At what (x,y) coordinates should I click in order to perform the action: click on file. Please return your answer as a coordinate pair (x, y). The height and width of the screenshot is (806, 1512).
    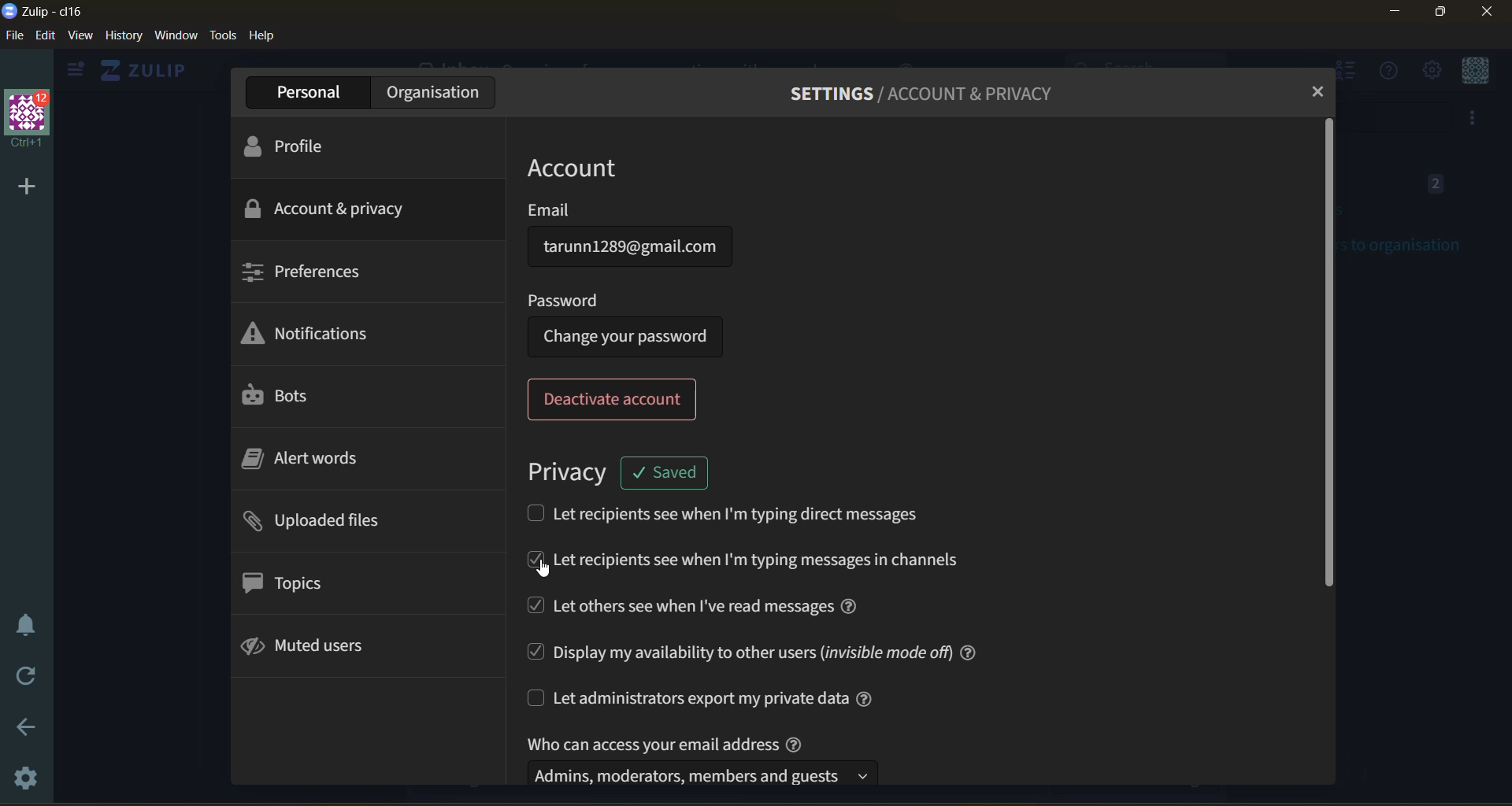
    Looking at the image, I should click on (13, 38).